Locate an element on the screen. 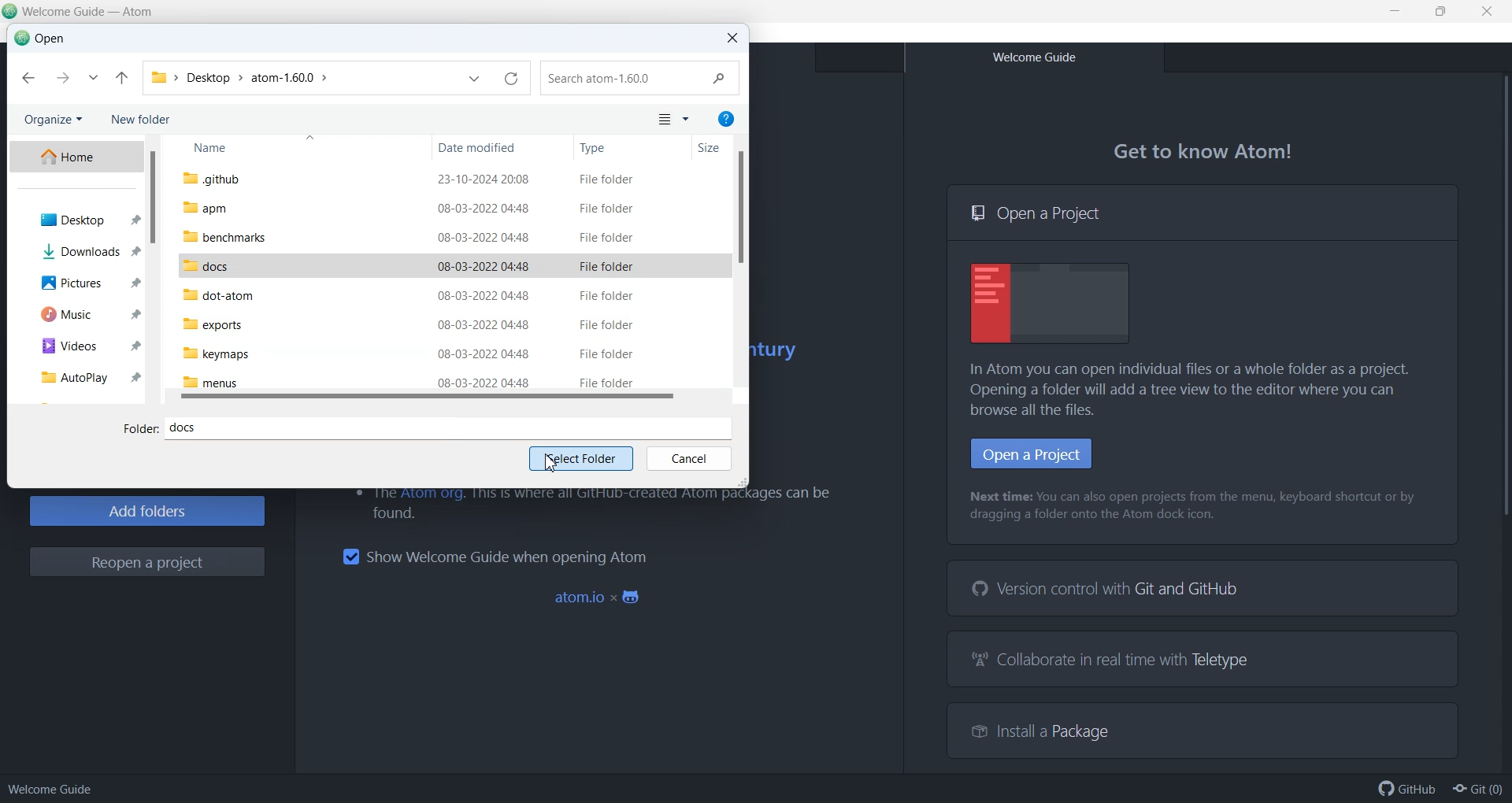 This screenshot has height=803, width=1512. Get to know Atom! is located at coordinates (1205, 152).